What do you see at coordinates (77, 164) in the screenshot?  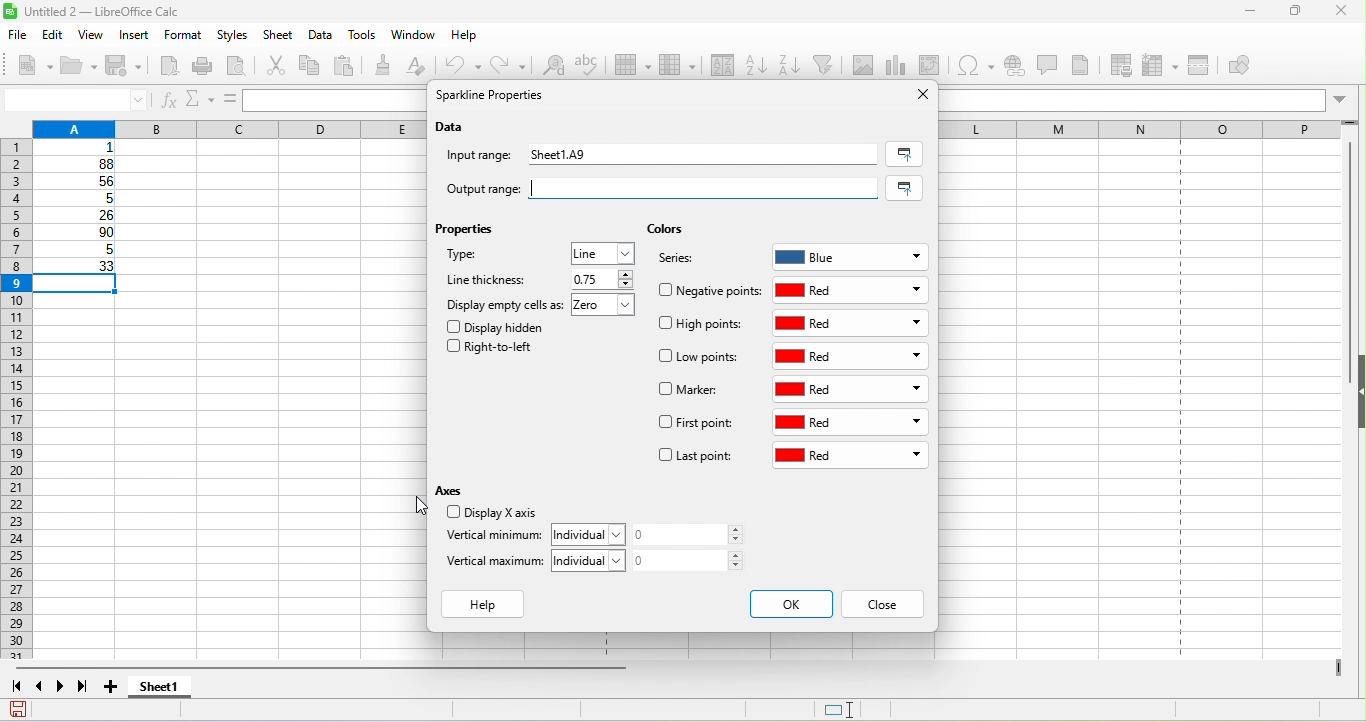 I see `88` at bounding box center [77, 164].